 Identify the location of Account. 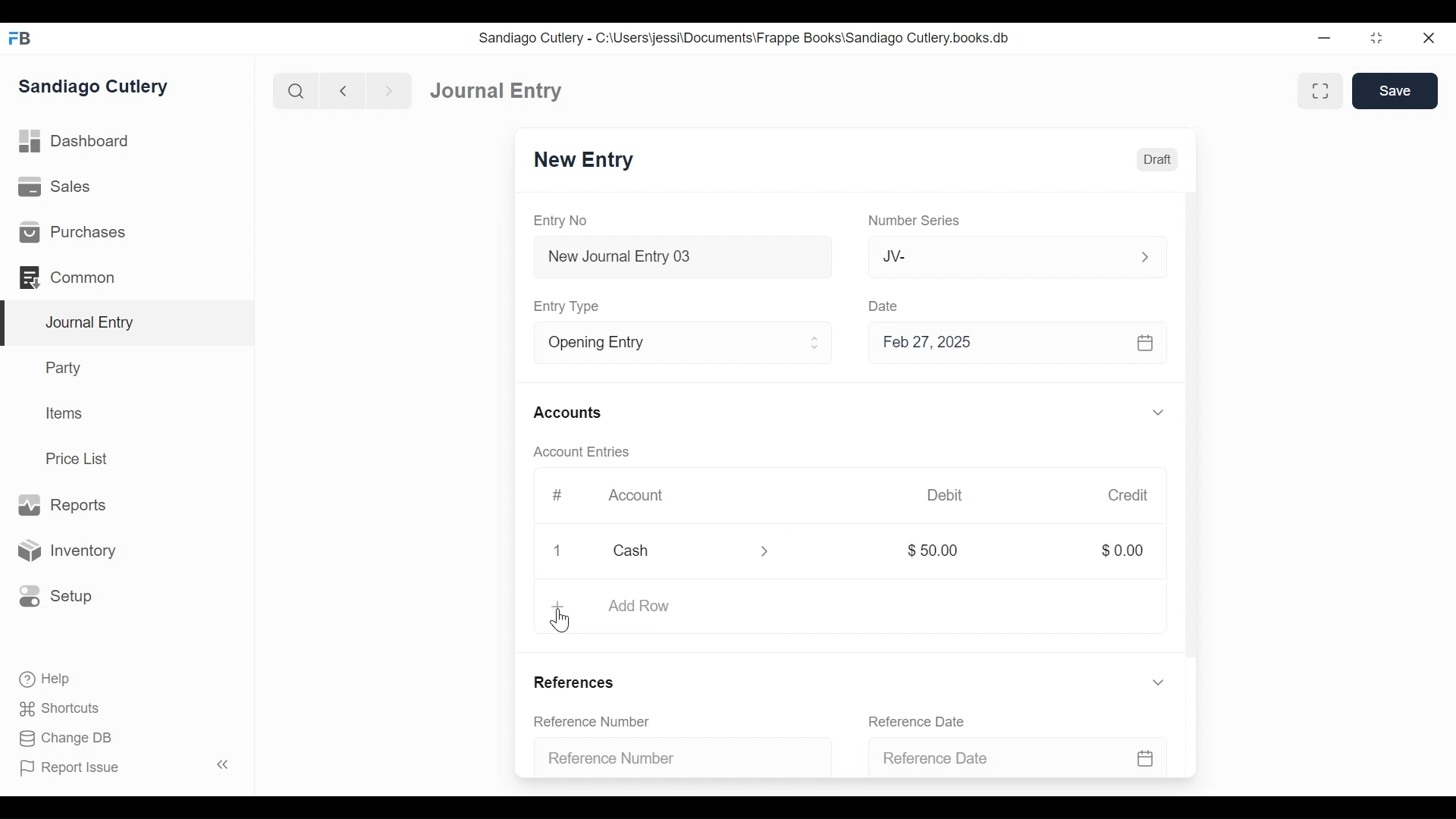
(639, 496).